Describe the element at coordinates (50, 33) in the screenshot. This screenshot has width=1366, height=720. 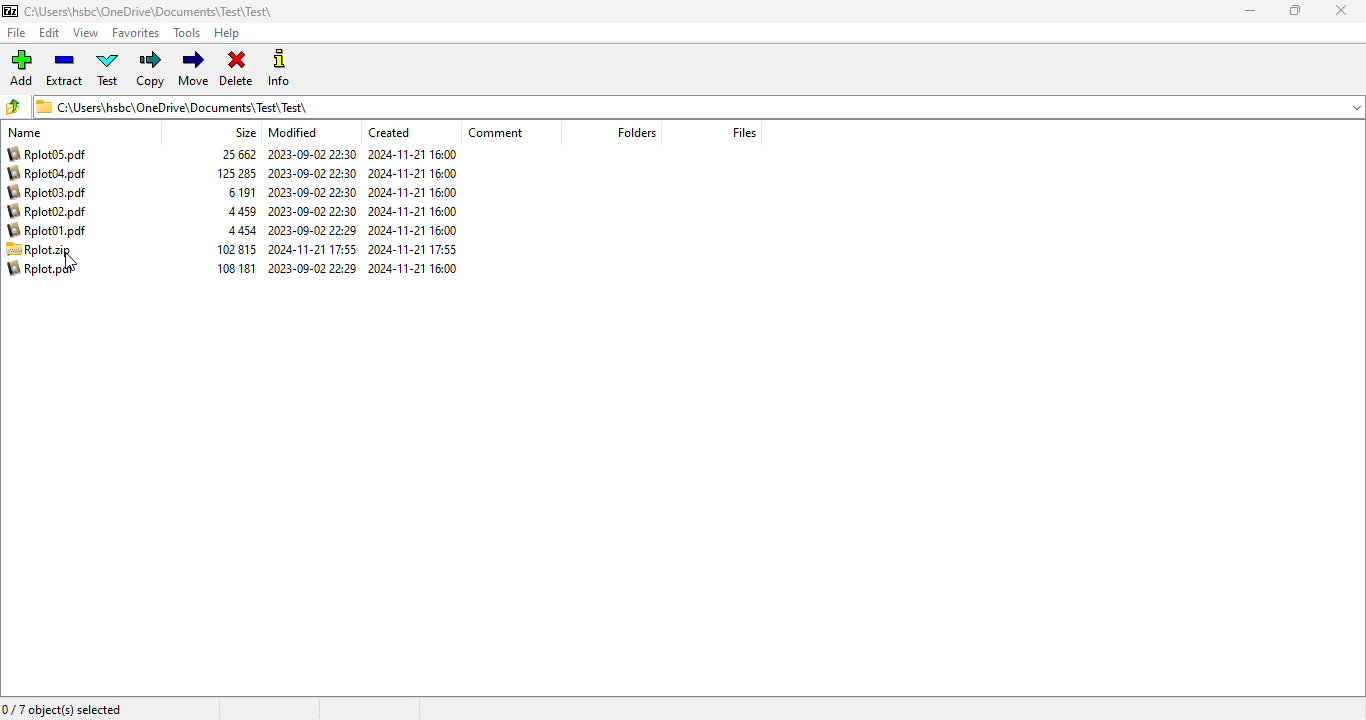
I see `edit` at that location.